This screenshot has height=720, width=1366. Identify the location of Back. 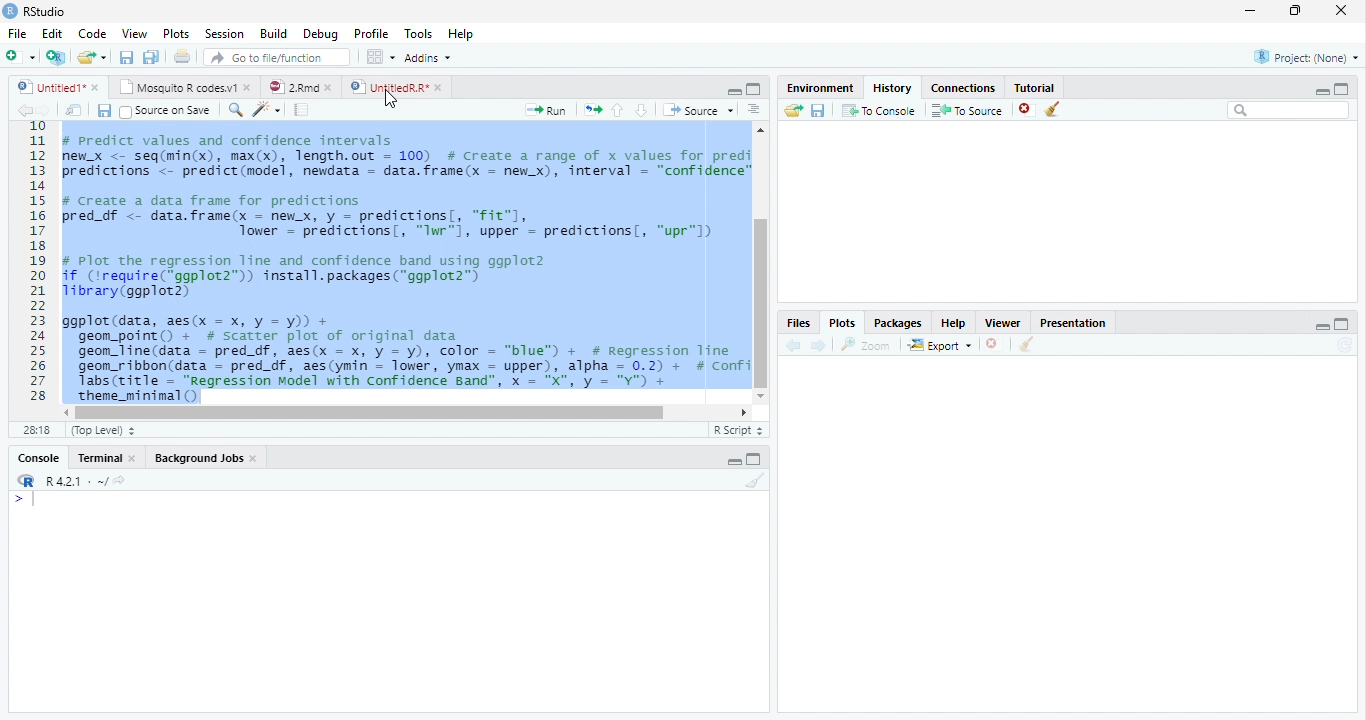
(789, 346).